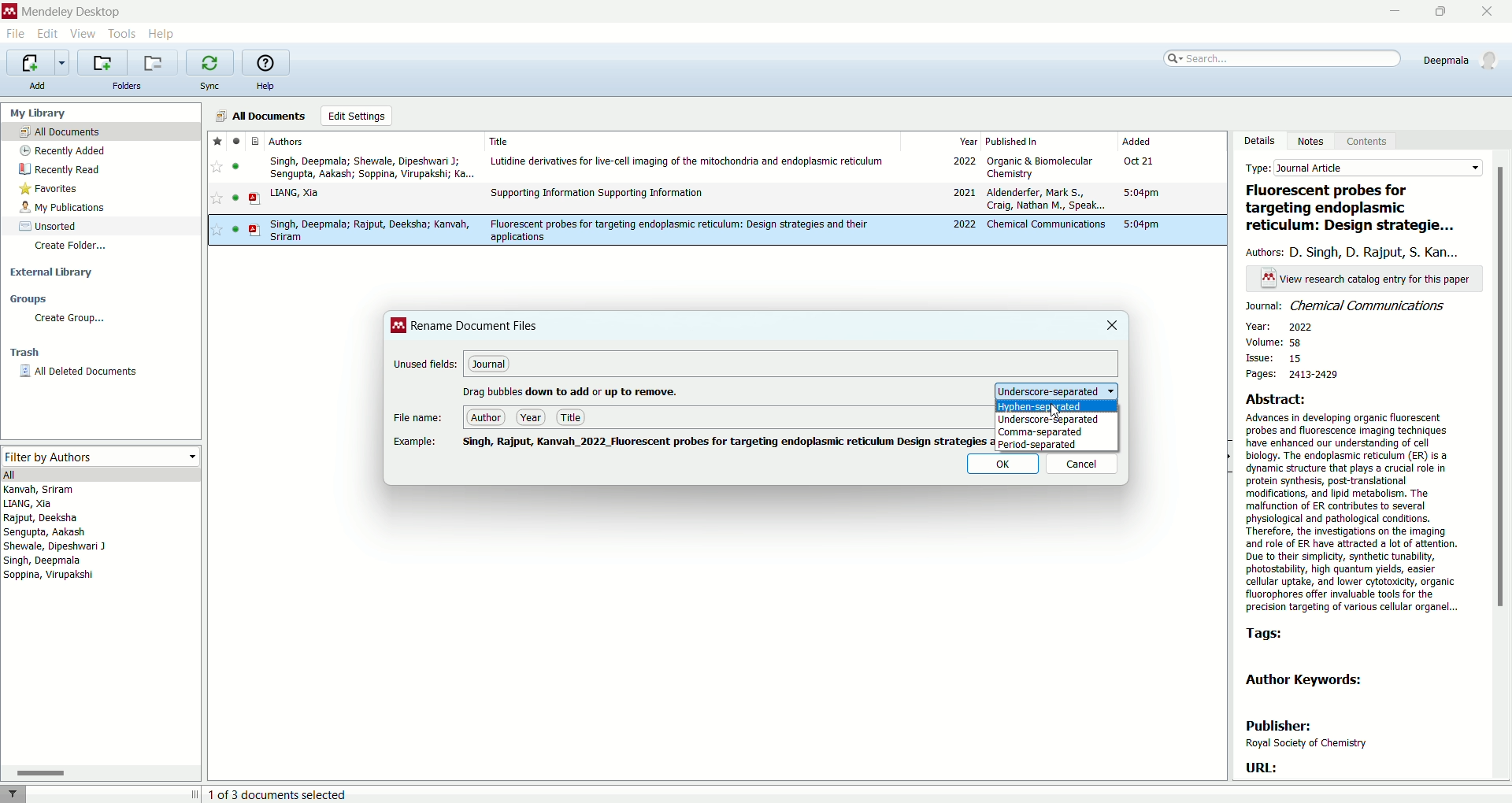 This screenshot has height=803, width=1512. Describe the element at coordinates (487, 419) in the screenshot. I see `author` at that location.